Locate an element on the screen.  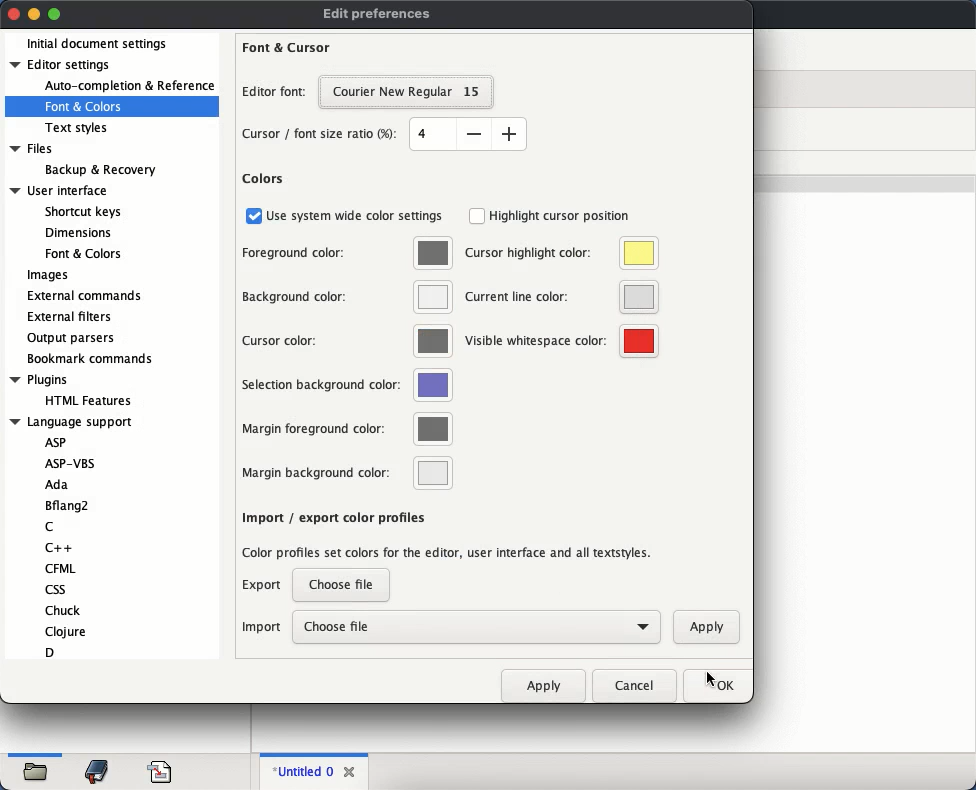
colors is located at coordinates (263, 179).